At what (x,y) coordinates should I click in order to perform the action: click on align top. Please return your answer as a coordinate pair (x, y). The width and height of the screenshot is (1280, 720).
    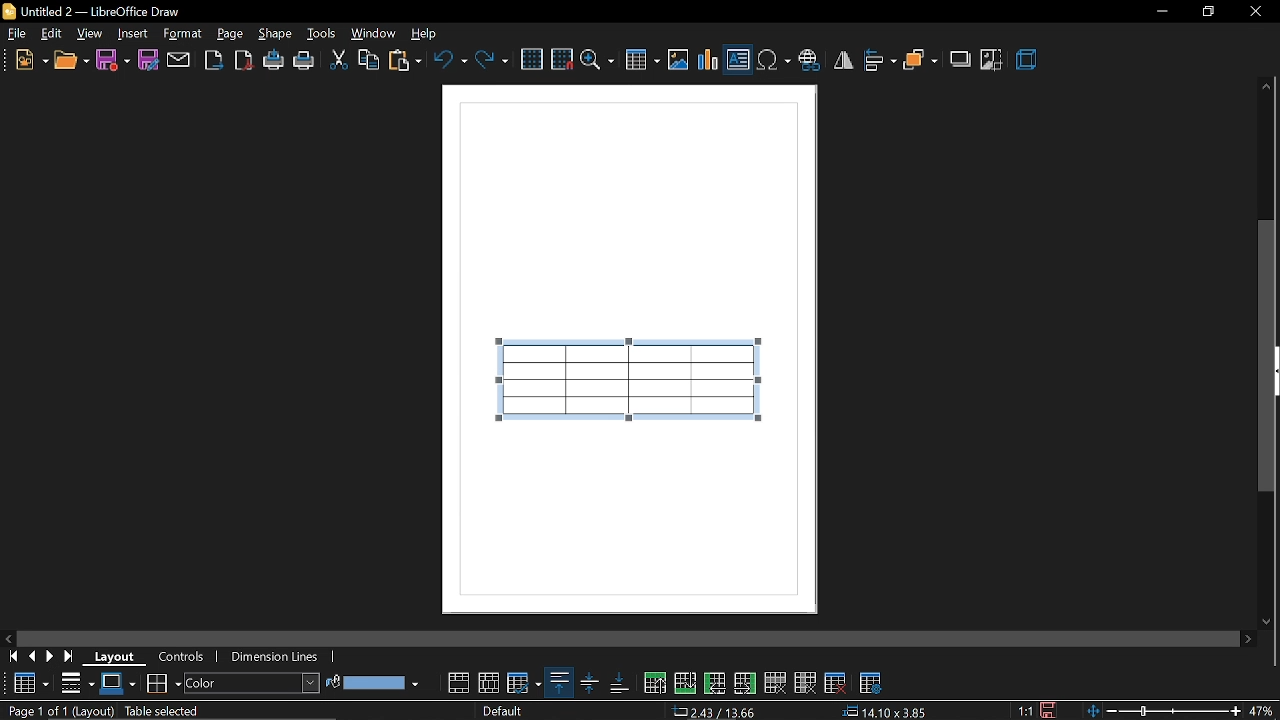
    Looking at the image, I should click on (558, 682).